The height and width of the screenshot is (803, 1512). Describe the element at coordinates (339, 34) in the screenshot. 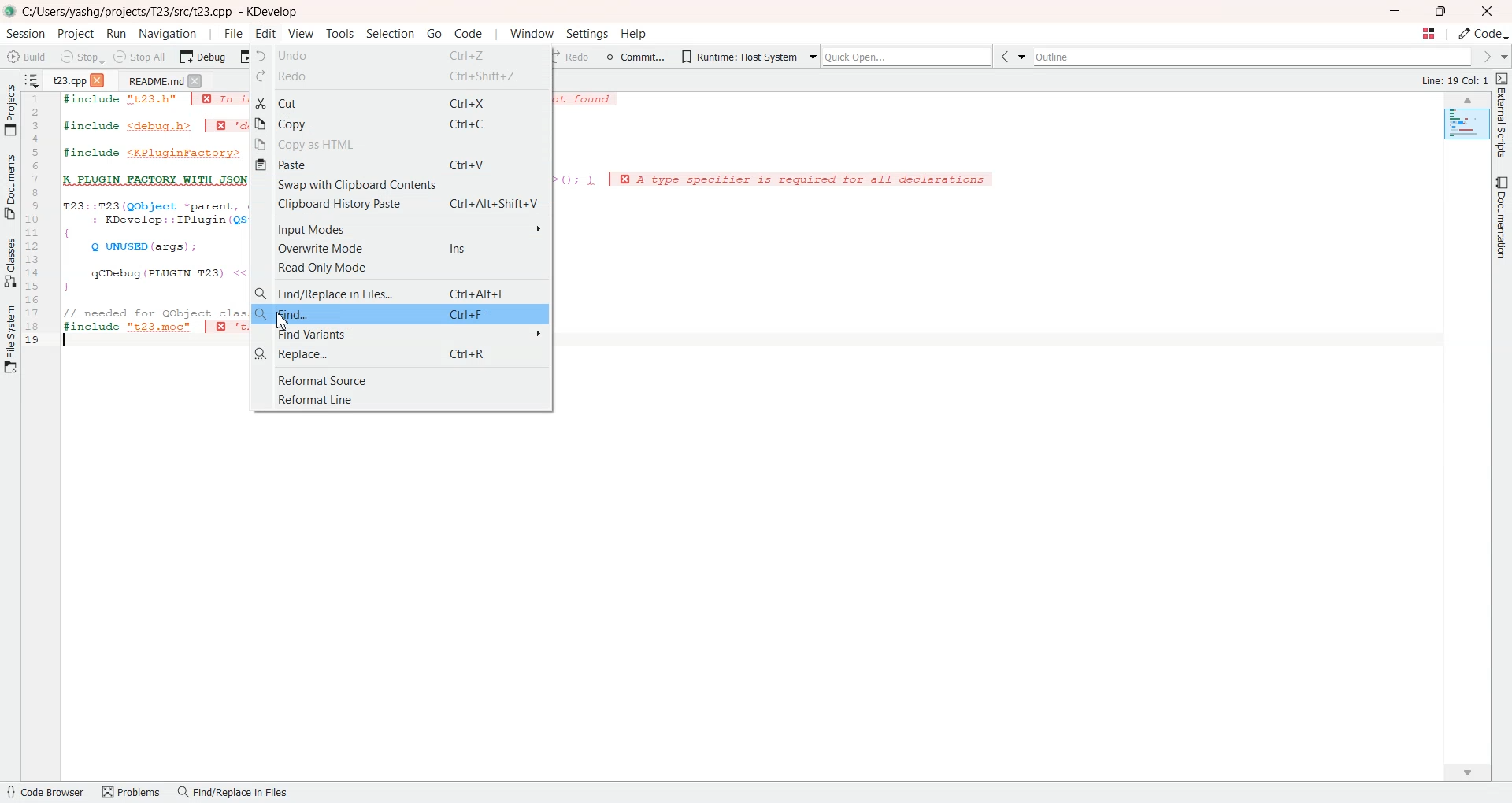

I see `Tools` at that location.